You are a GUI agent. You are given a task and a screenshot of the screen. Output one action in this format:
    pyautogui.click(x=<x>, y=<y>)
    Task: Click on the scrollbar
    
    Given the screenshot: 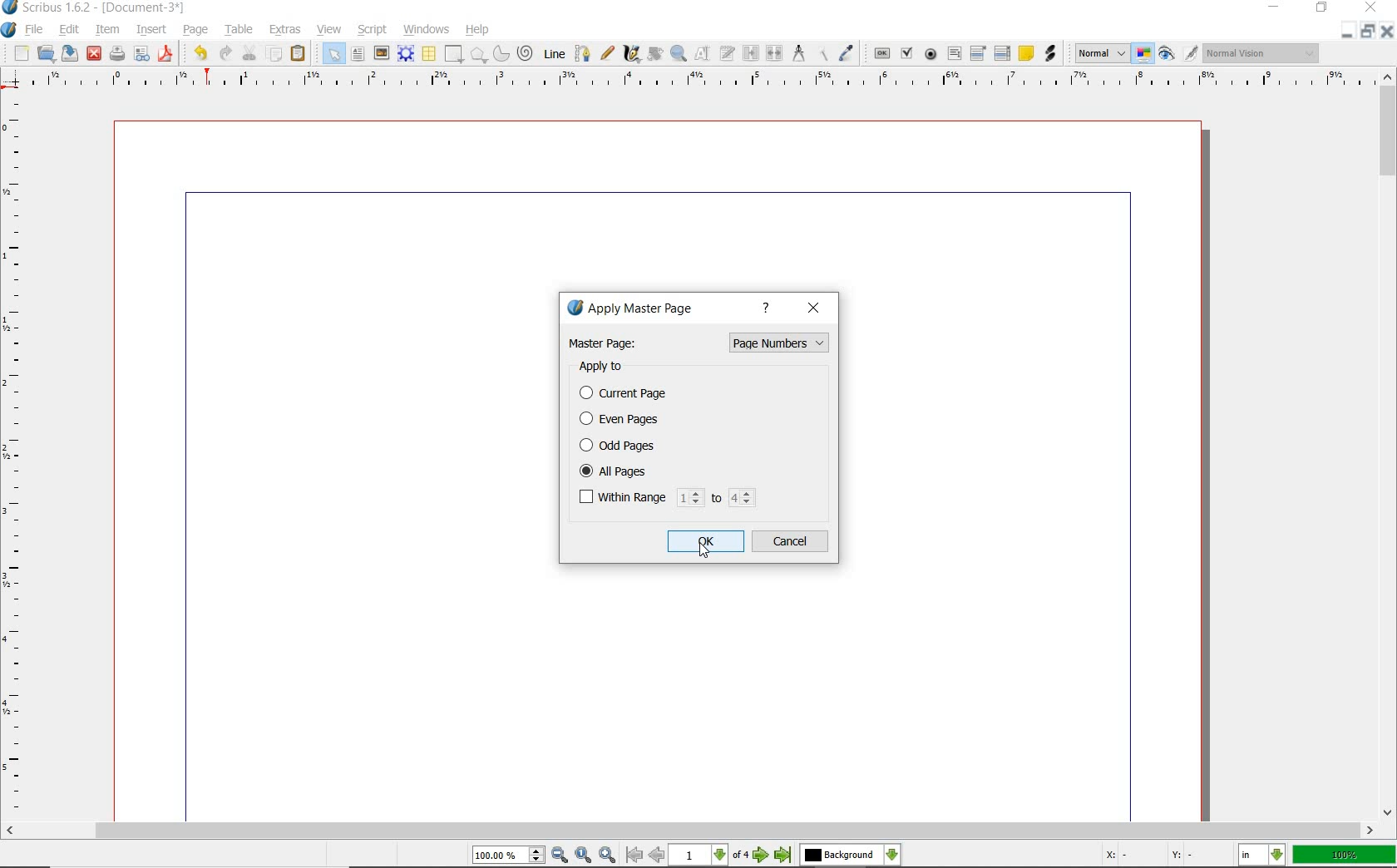 What is the action you would take?
    pyautogui.click(x=1389, y=445)
    